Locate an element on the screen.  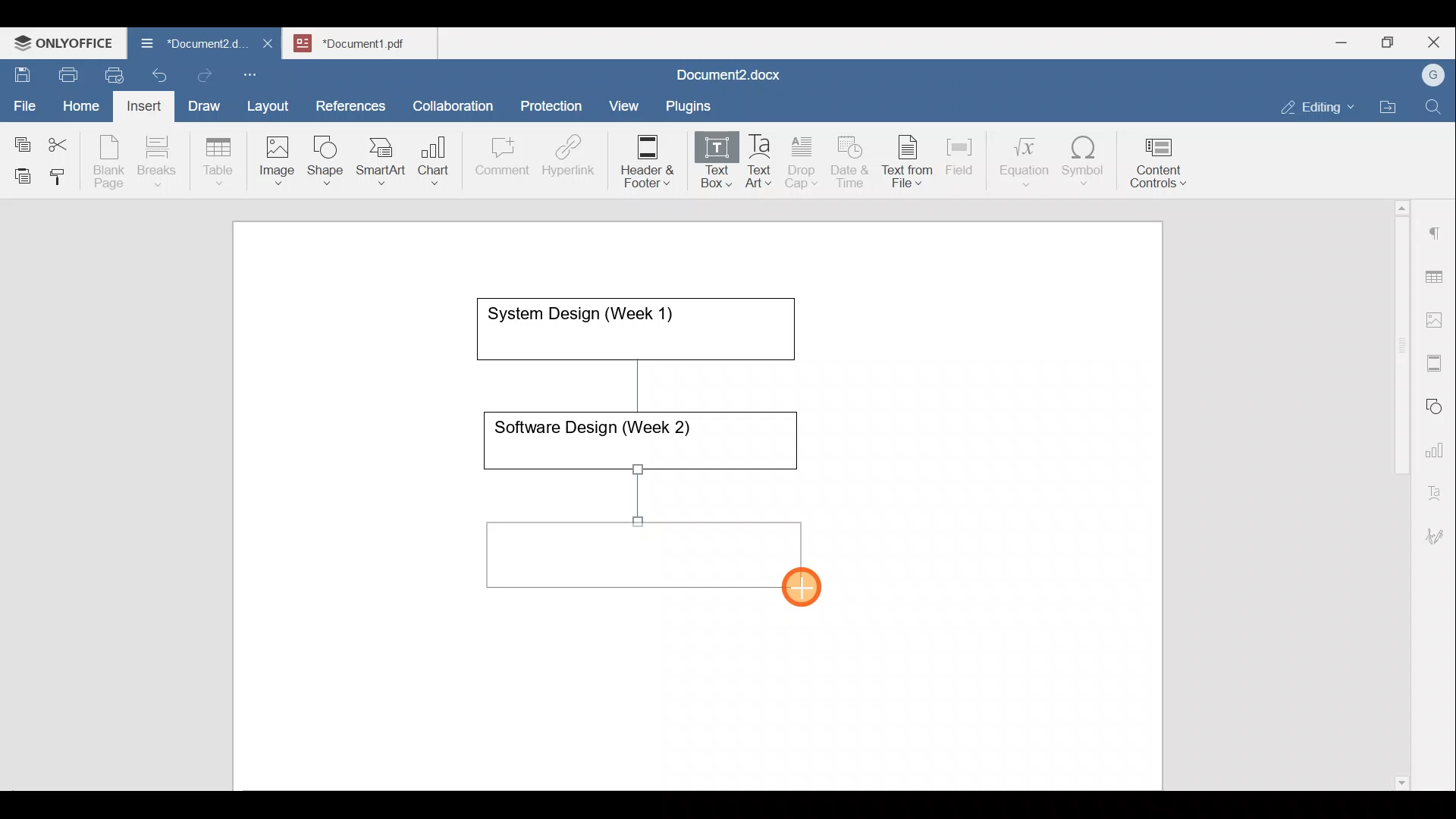
Drop cap is located at coordinates (805, 160).